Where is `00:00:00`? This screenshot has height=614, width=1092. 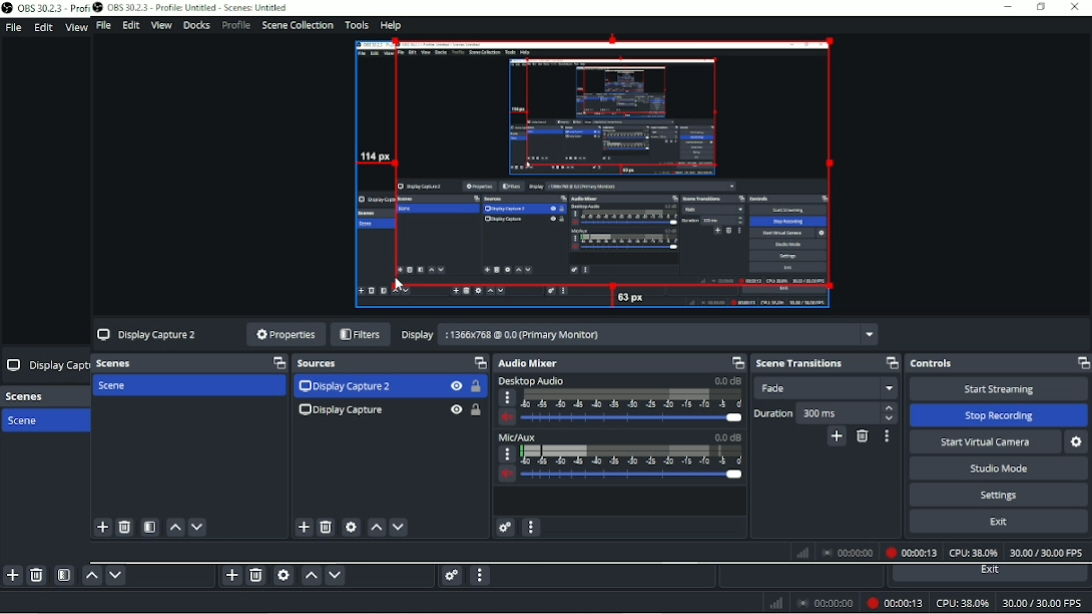
00:00:00 is located at coordinates (825, 603).